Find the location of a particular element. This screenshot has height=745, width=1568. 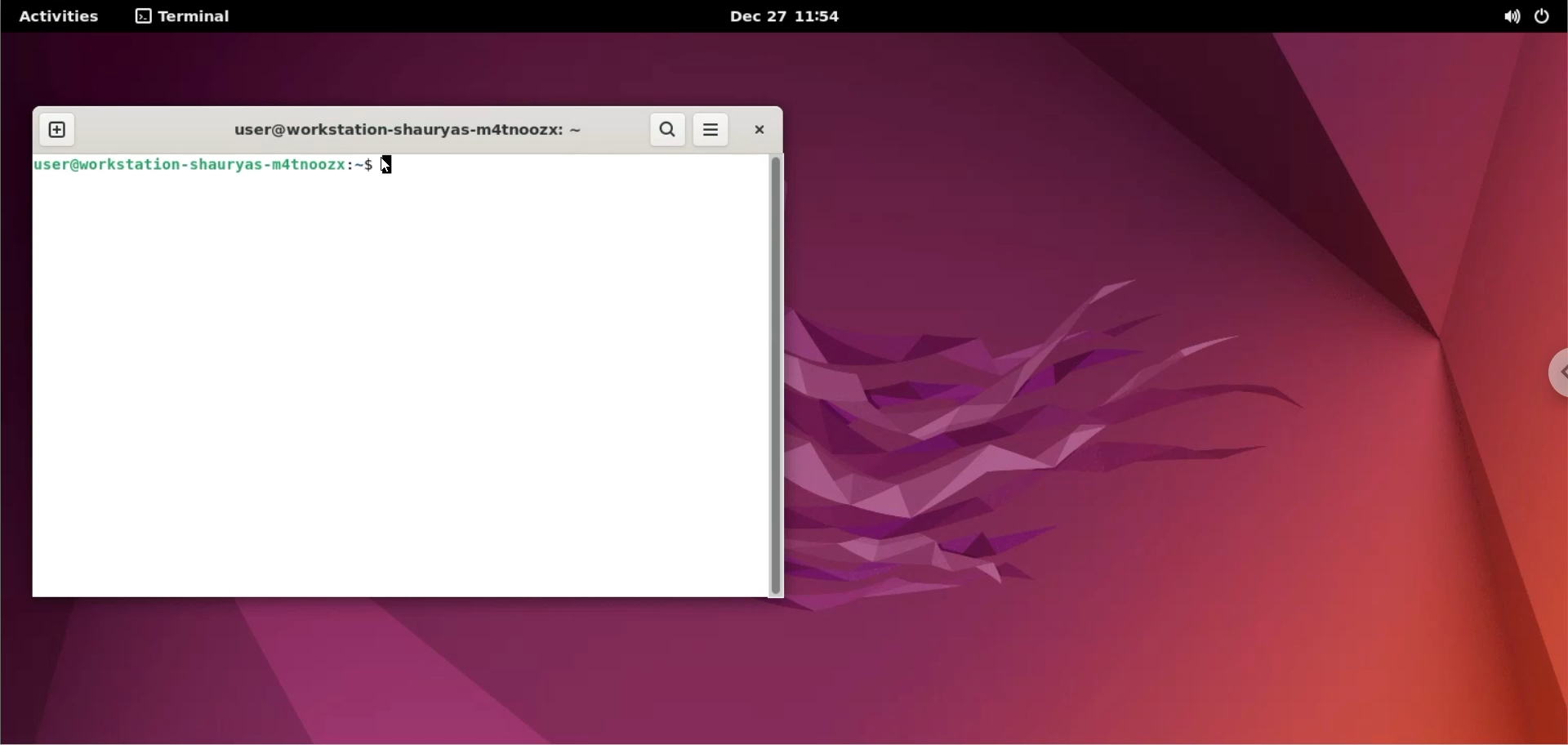

menu options is located at coordinates (712, 129).